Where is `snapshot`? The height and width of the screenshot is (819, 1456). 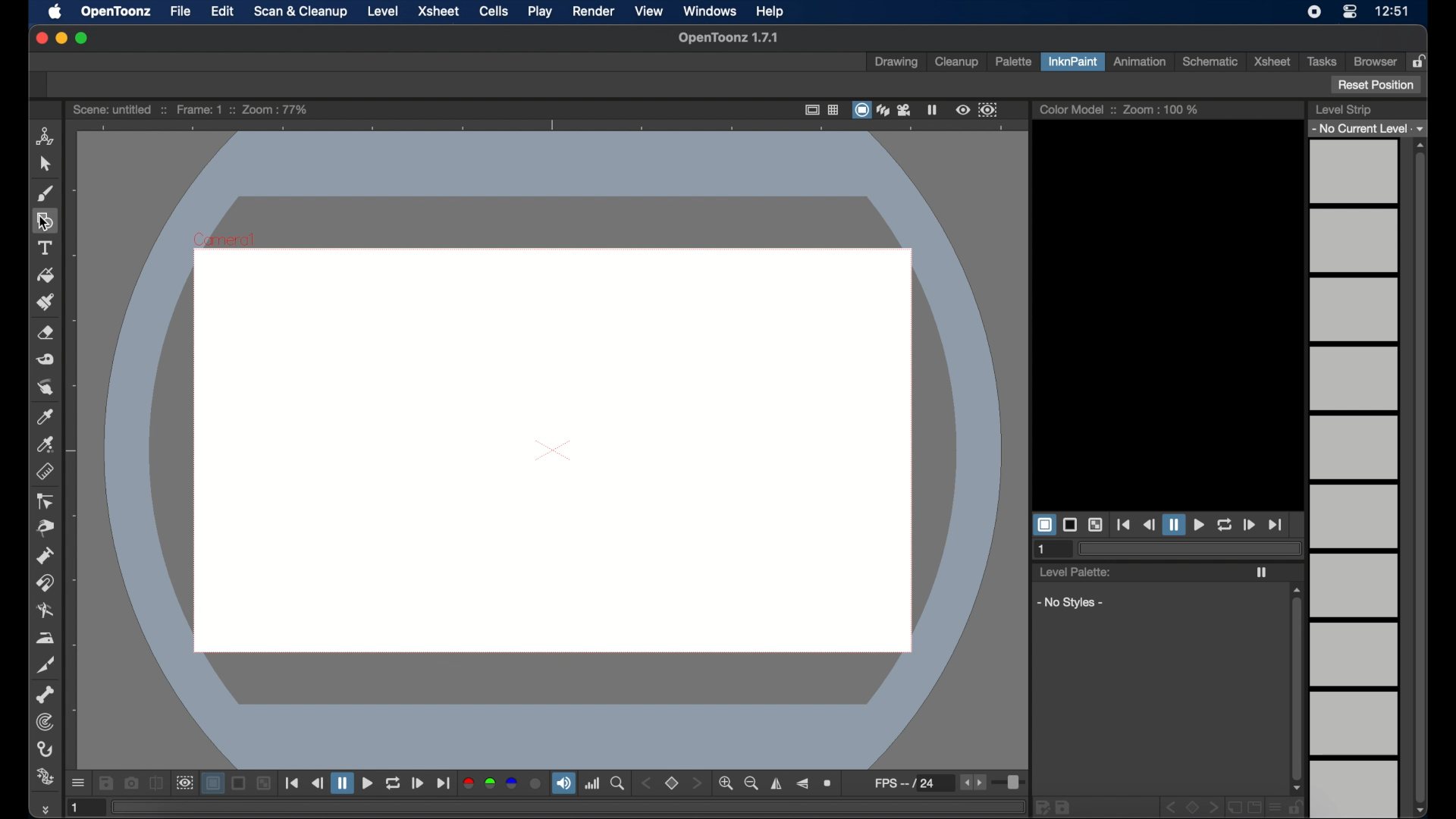
snapshot is located at coordinates (130, 782).